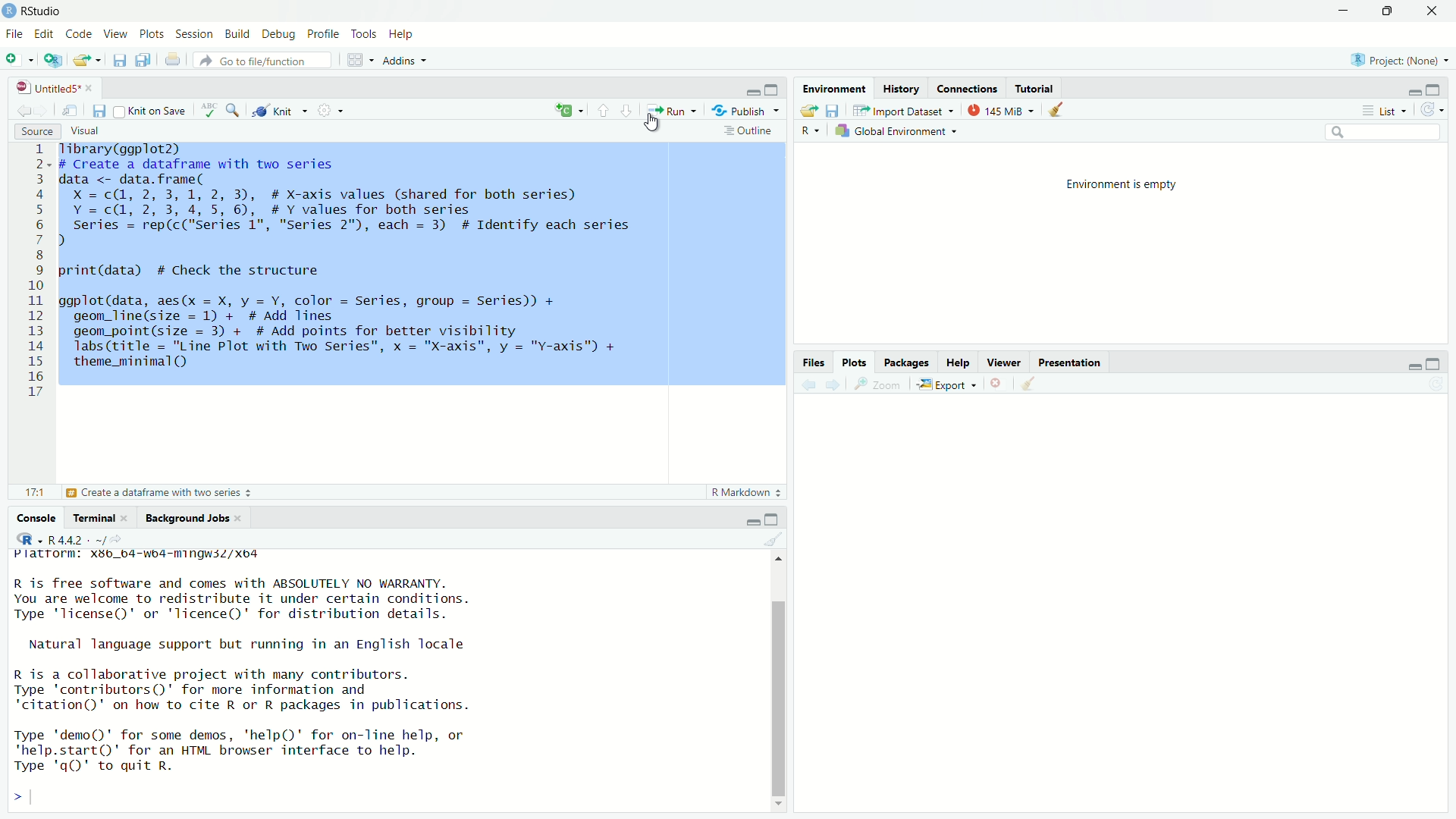 This screenshot has height=819, width=1456. What do you see at coordinates (1382, 111) in the screenshot?
I see `List View` at bounding box center [1382, 111].